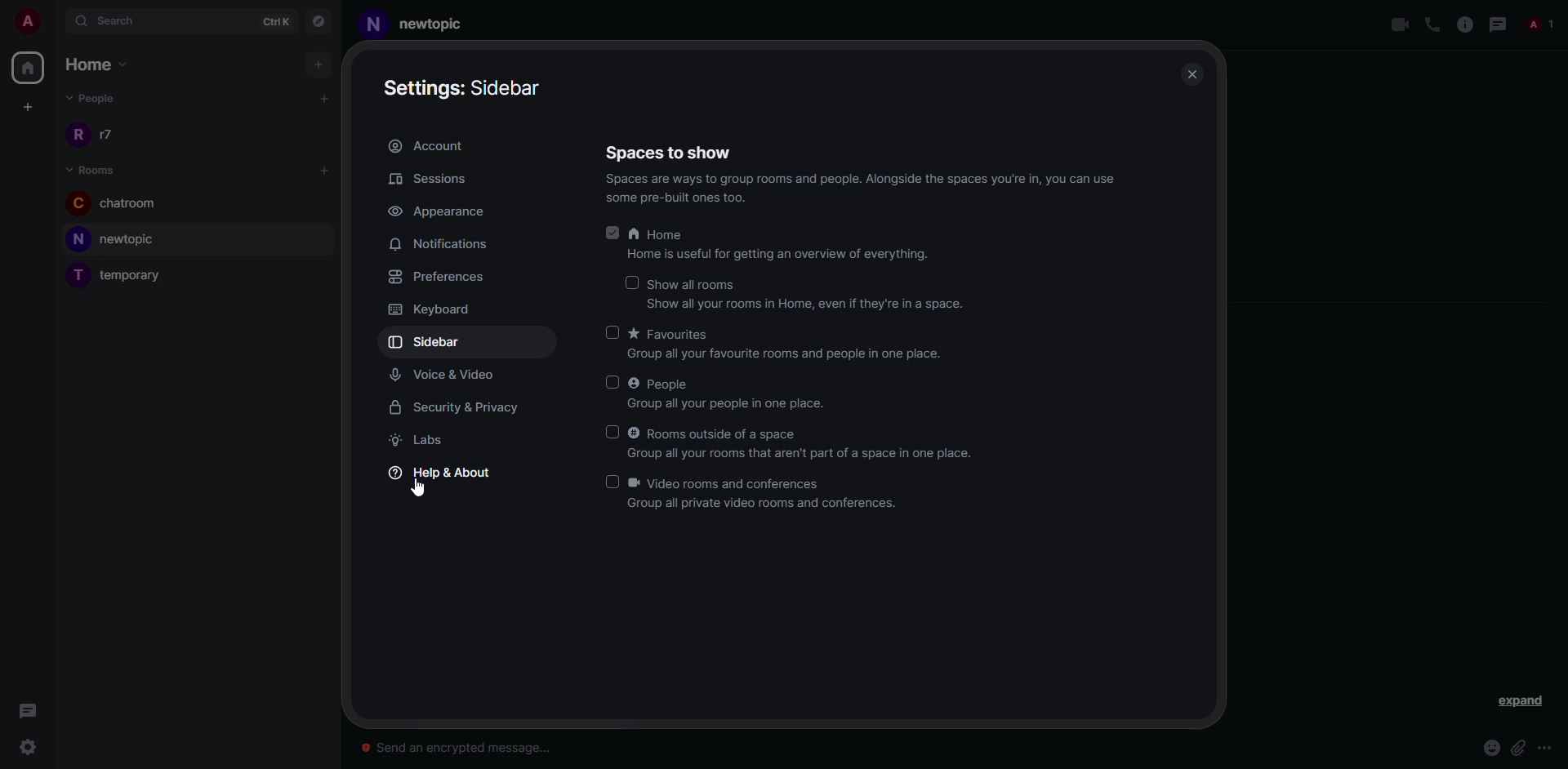 The width and height of the screenshot is (1568, 769). I want to click on add, so click(325, 96).